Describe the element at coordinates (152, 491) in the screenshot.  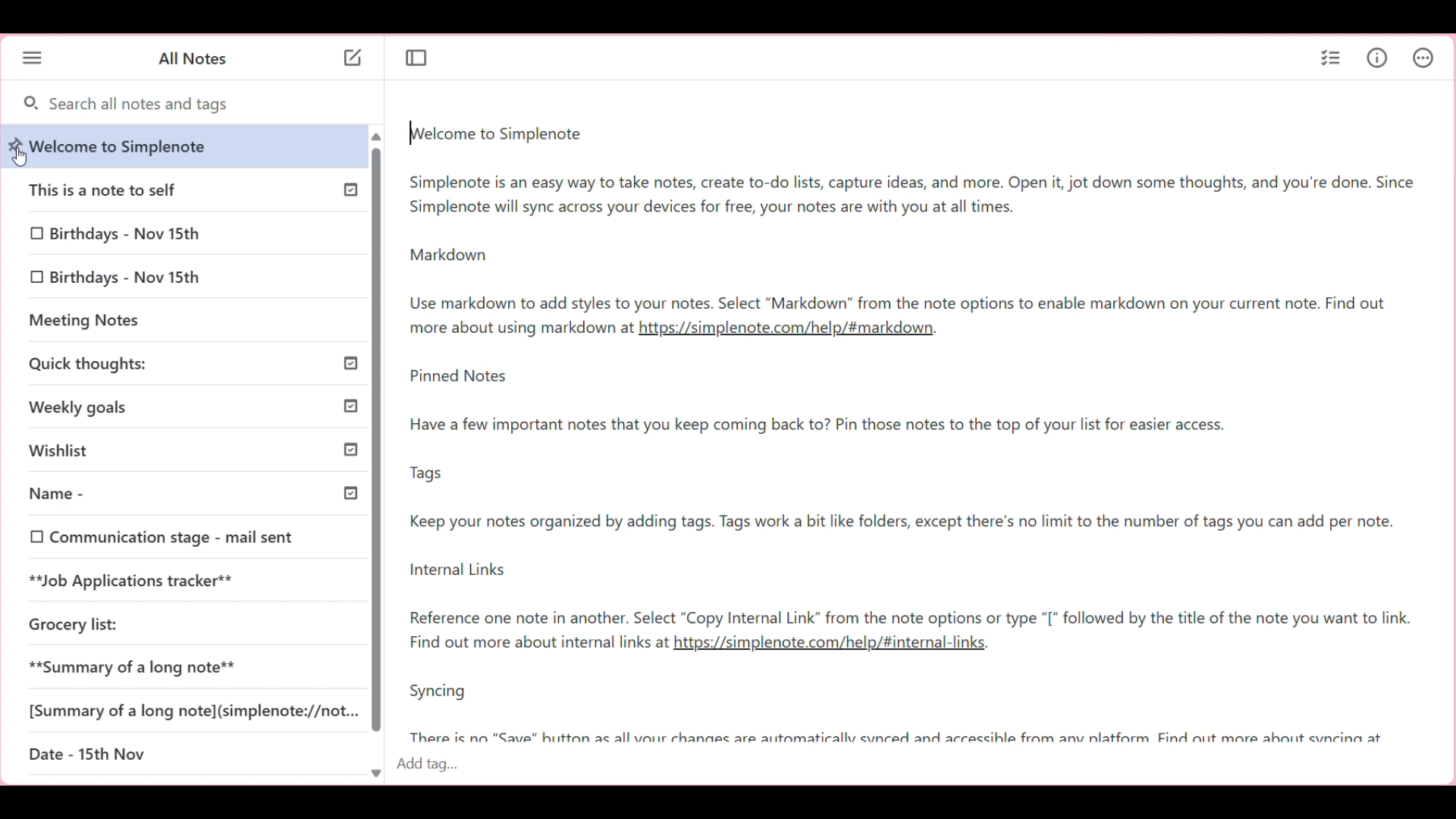
I see `Name -` at that location.